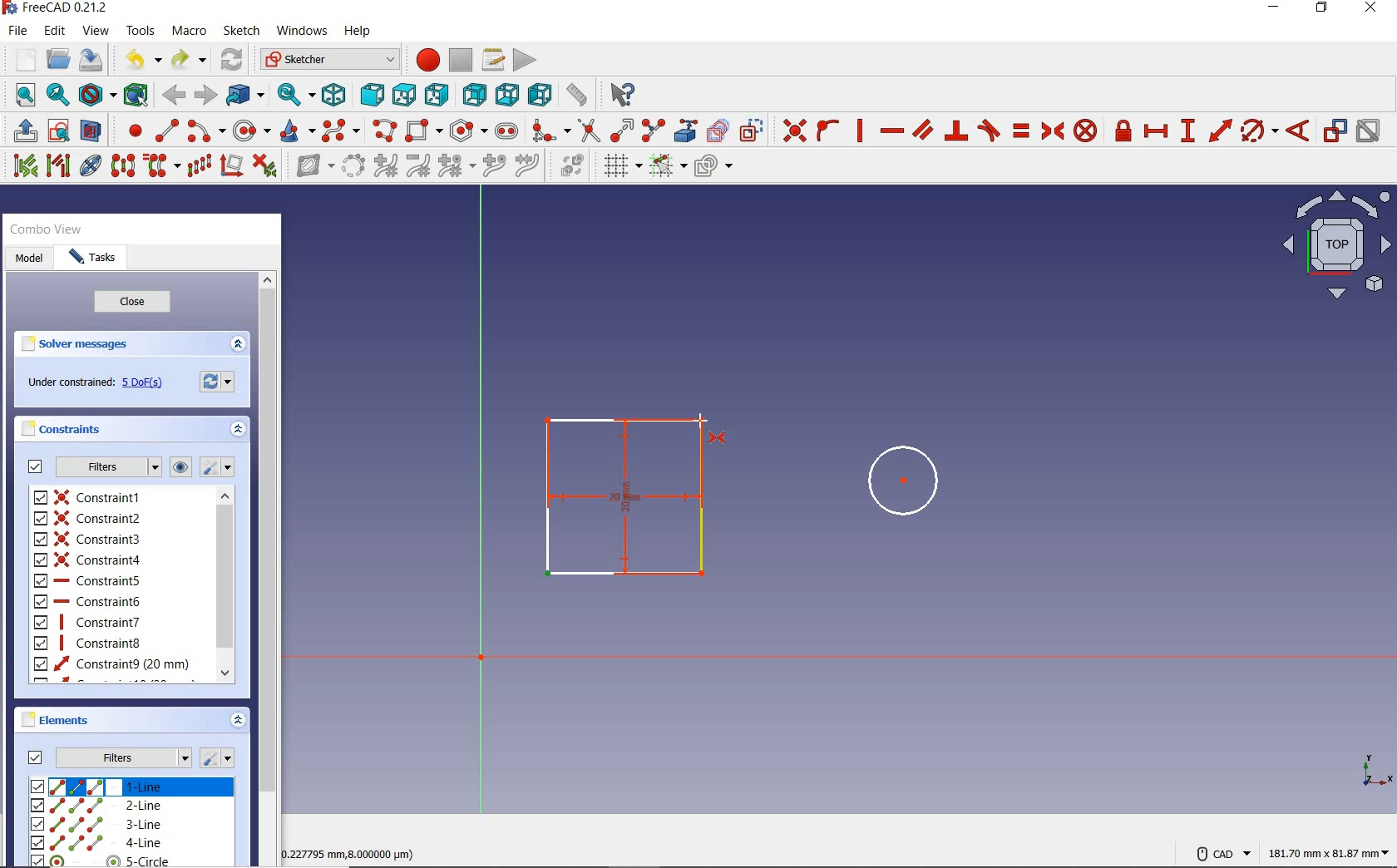  What do you see at coordinates (22, 129) in the screenshot?
I see `leave sketch` at bounding box center [22, 129].